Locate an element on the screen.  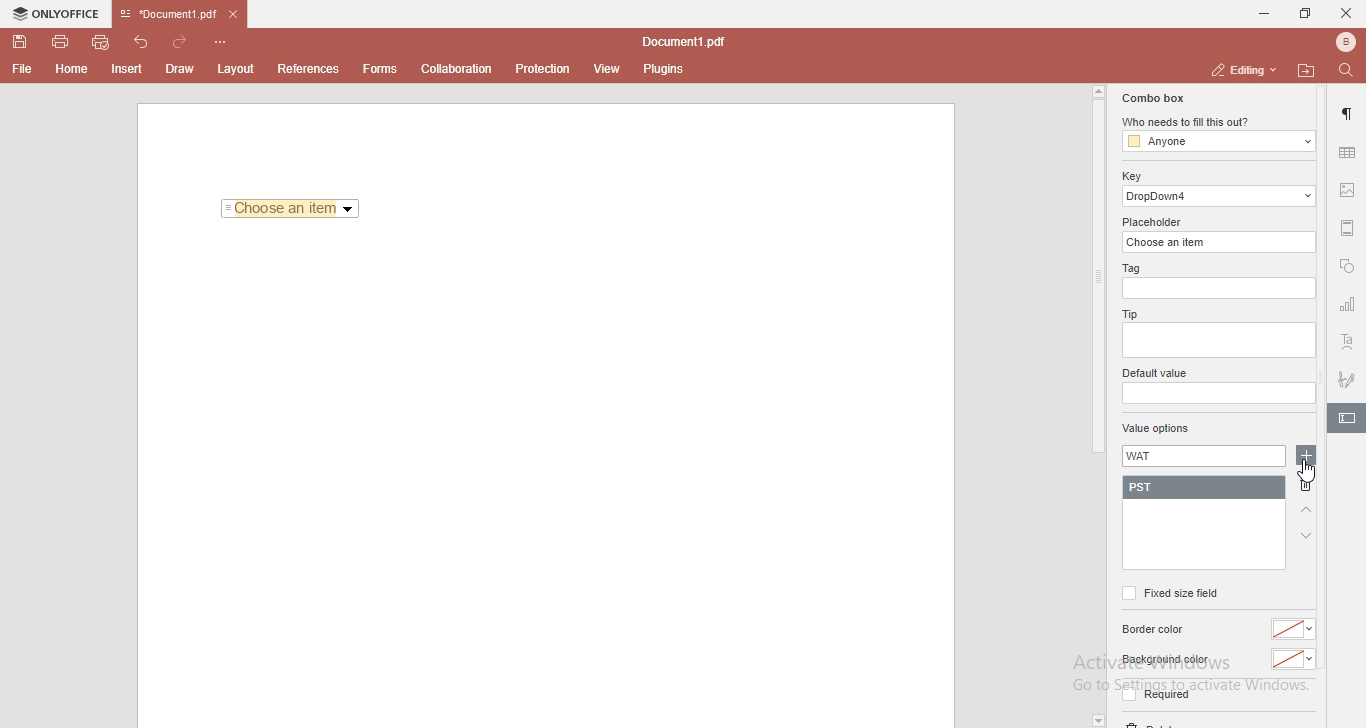
Choose an item is located at coordinates (291, 210).